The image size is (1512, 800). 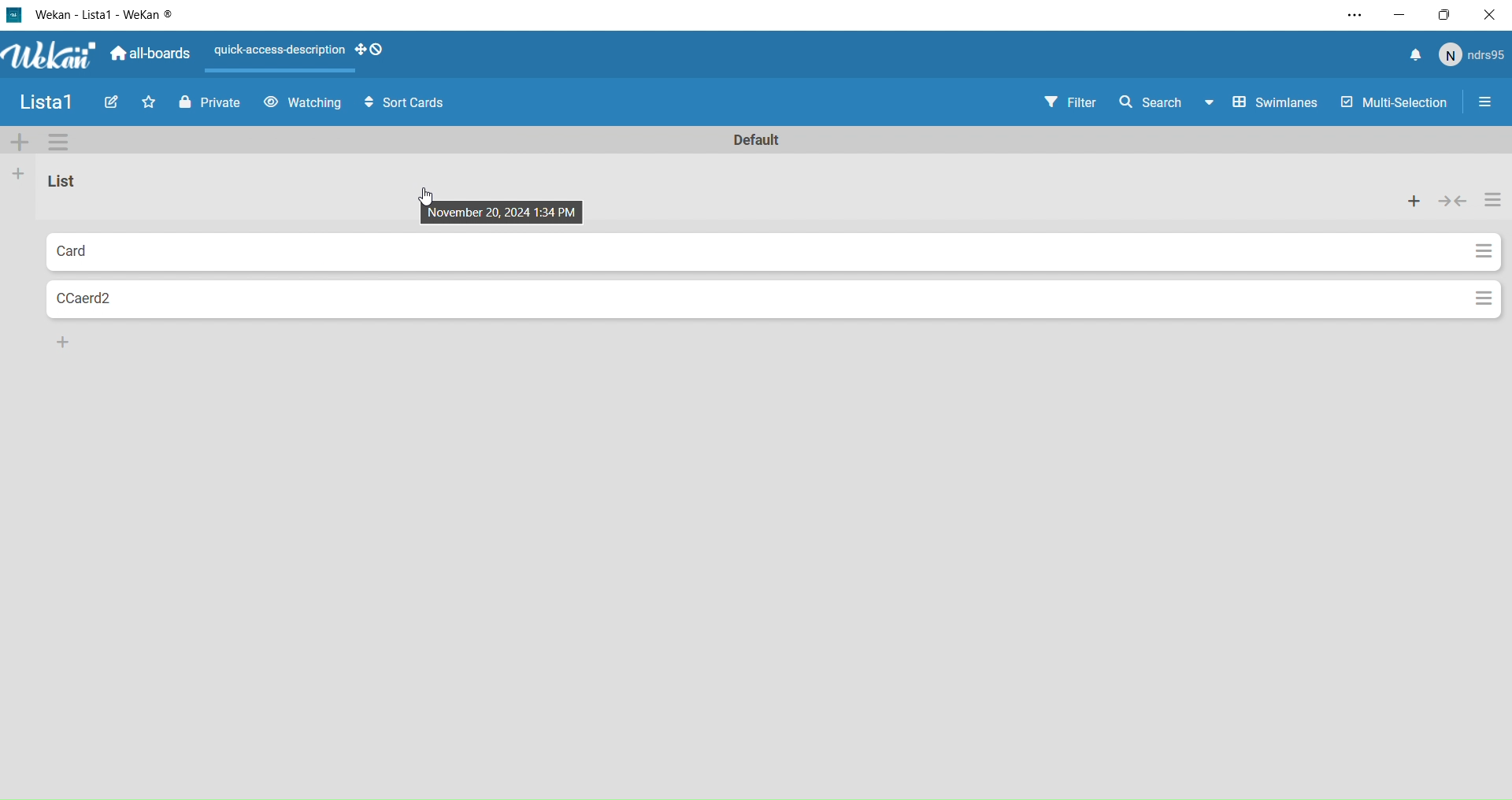 What do you see at coordinates (412, 104) in the screenshot?
I see `Sort Cards` at bounding box center [412, 104].